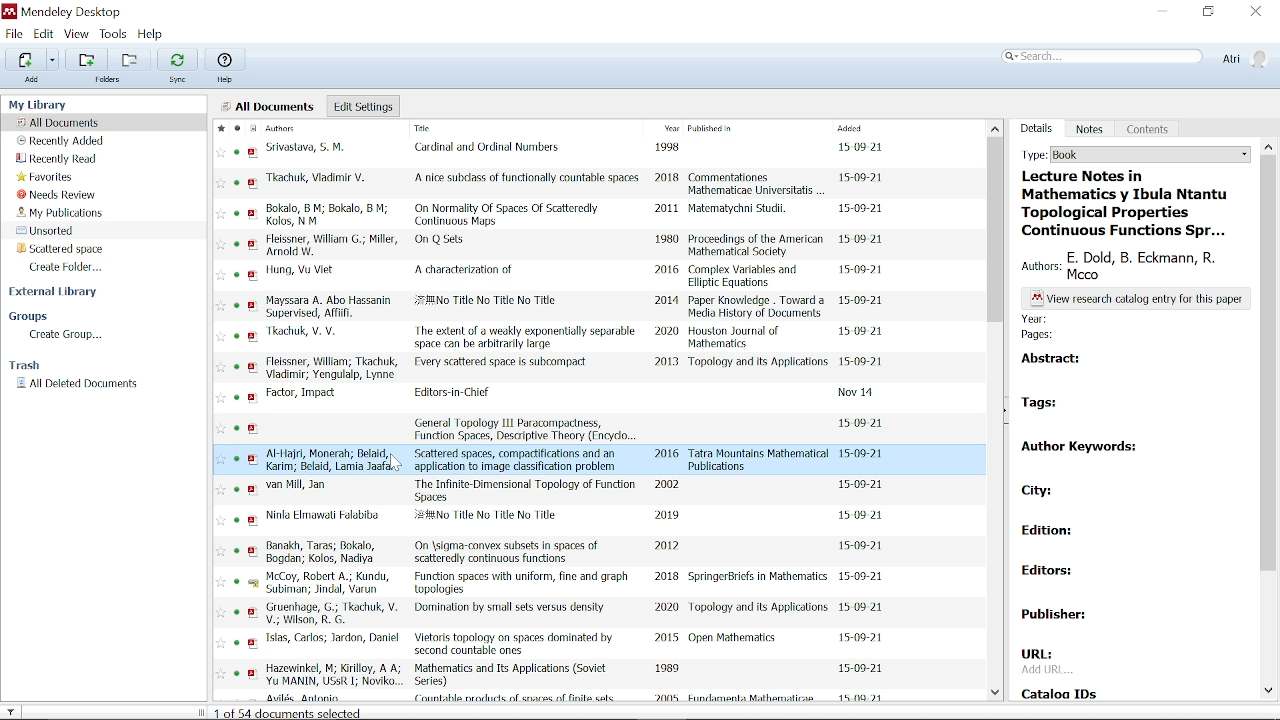 The width and height of the screenshot is (1280, 720). I want to click on documents selected, so click(292, 712).